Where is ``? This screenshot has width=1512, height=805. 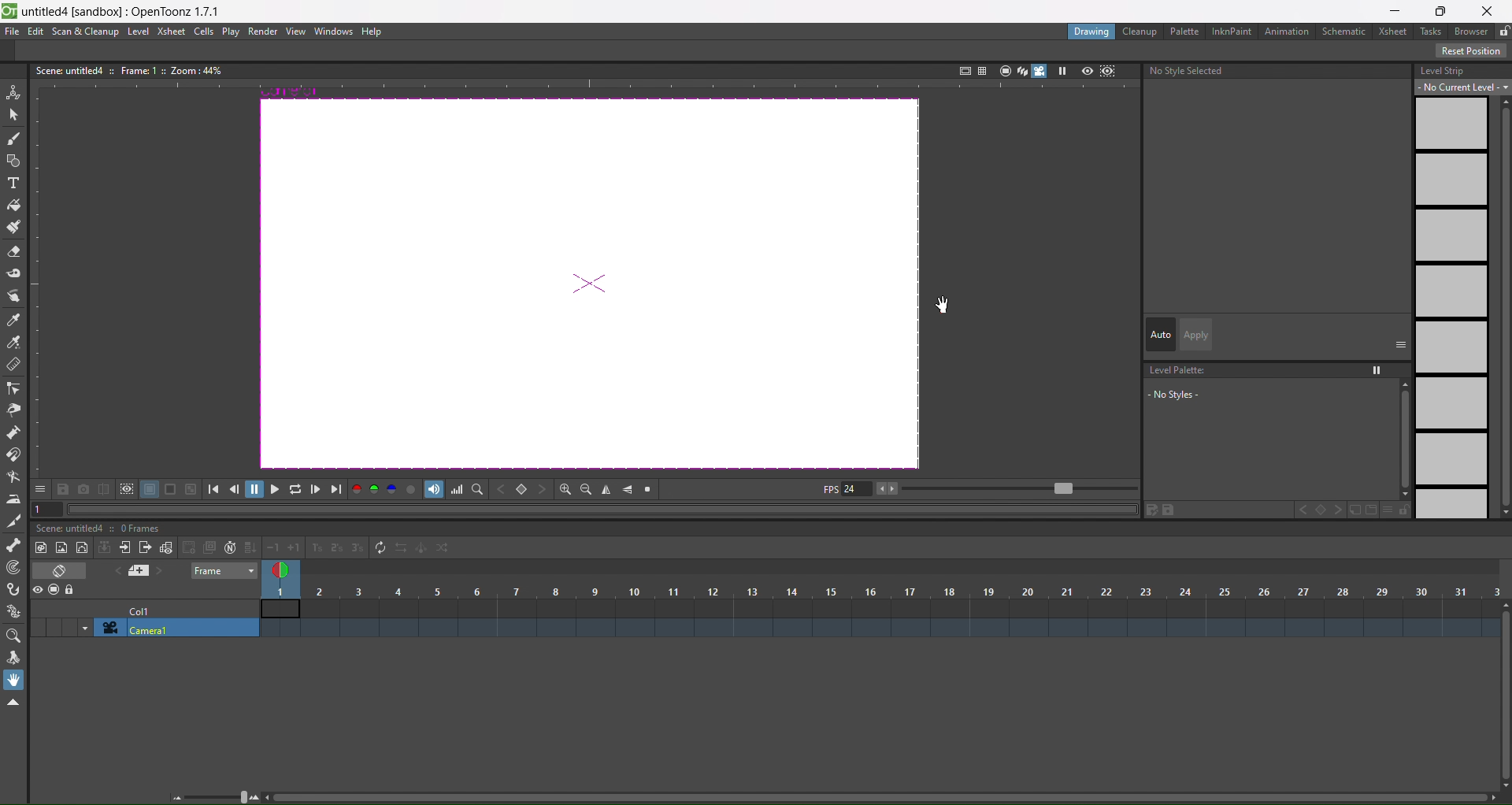
 is located at coordinates (14, 658).